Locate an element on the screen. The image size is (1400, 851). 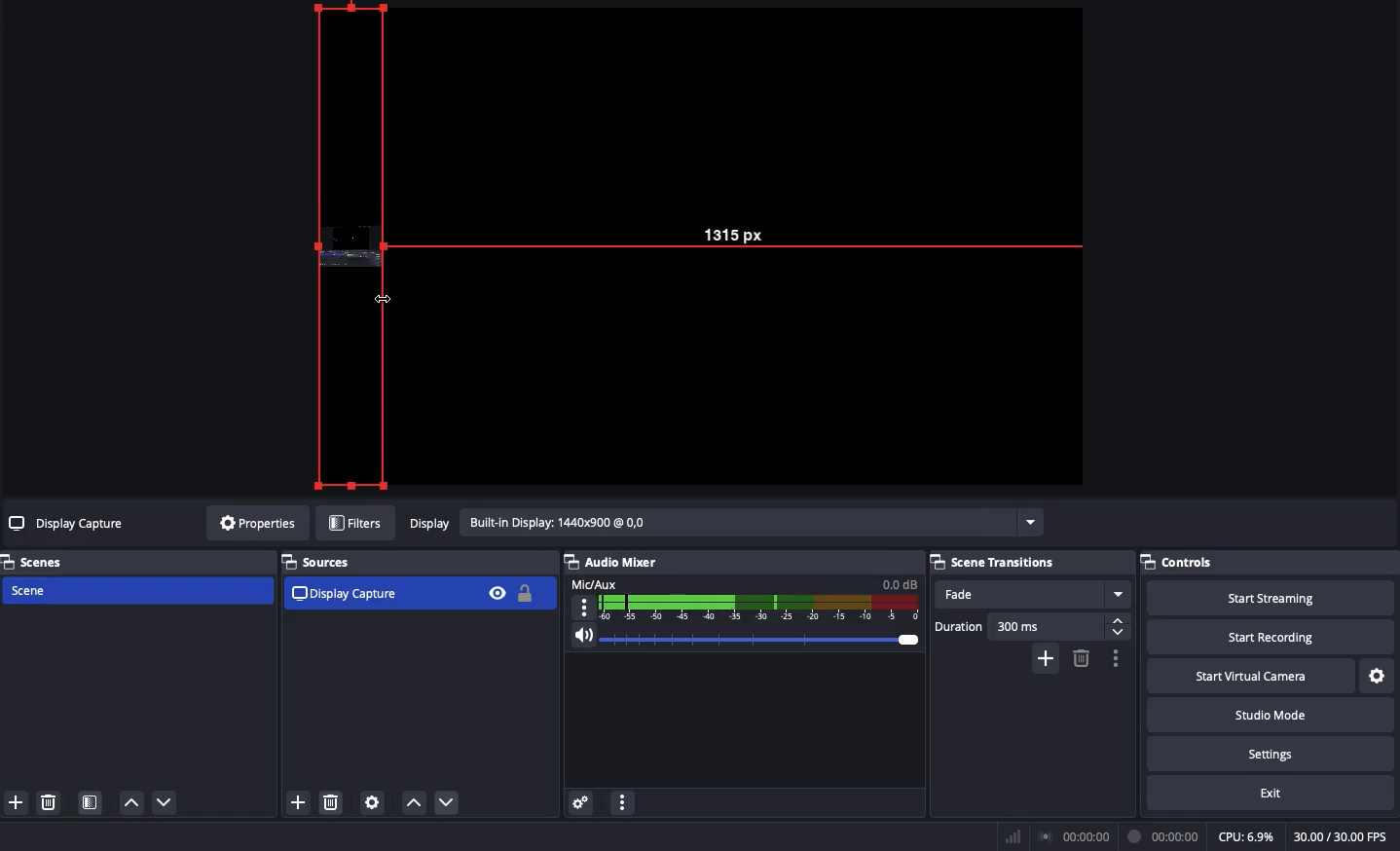
Move down is located at coordinates (166, 802).